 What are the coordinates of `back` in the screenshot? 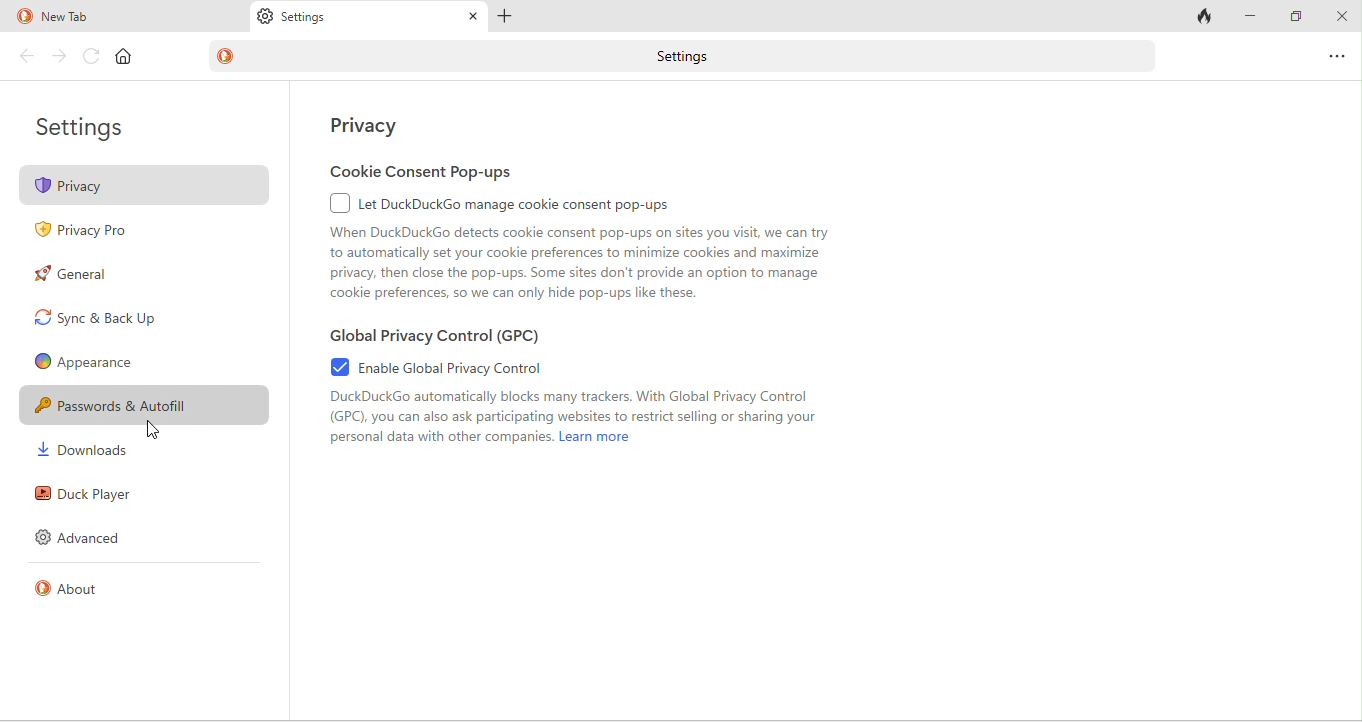 It's located at (26, 56).